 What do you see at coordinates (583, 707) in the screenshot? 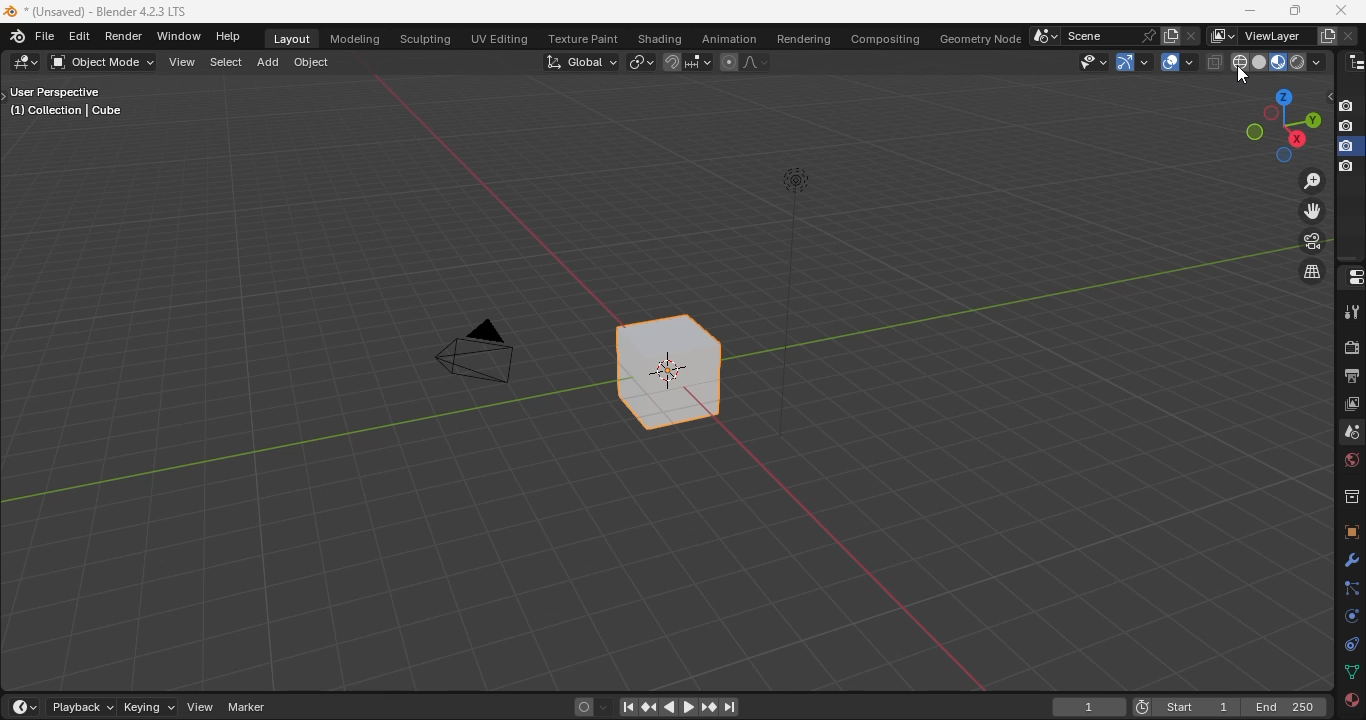
I see `auto keying` at bounding box center [583, 707].